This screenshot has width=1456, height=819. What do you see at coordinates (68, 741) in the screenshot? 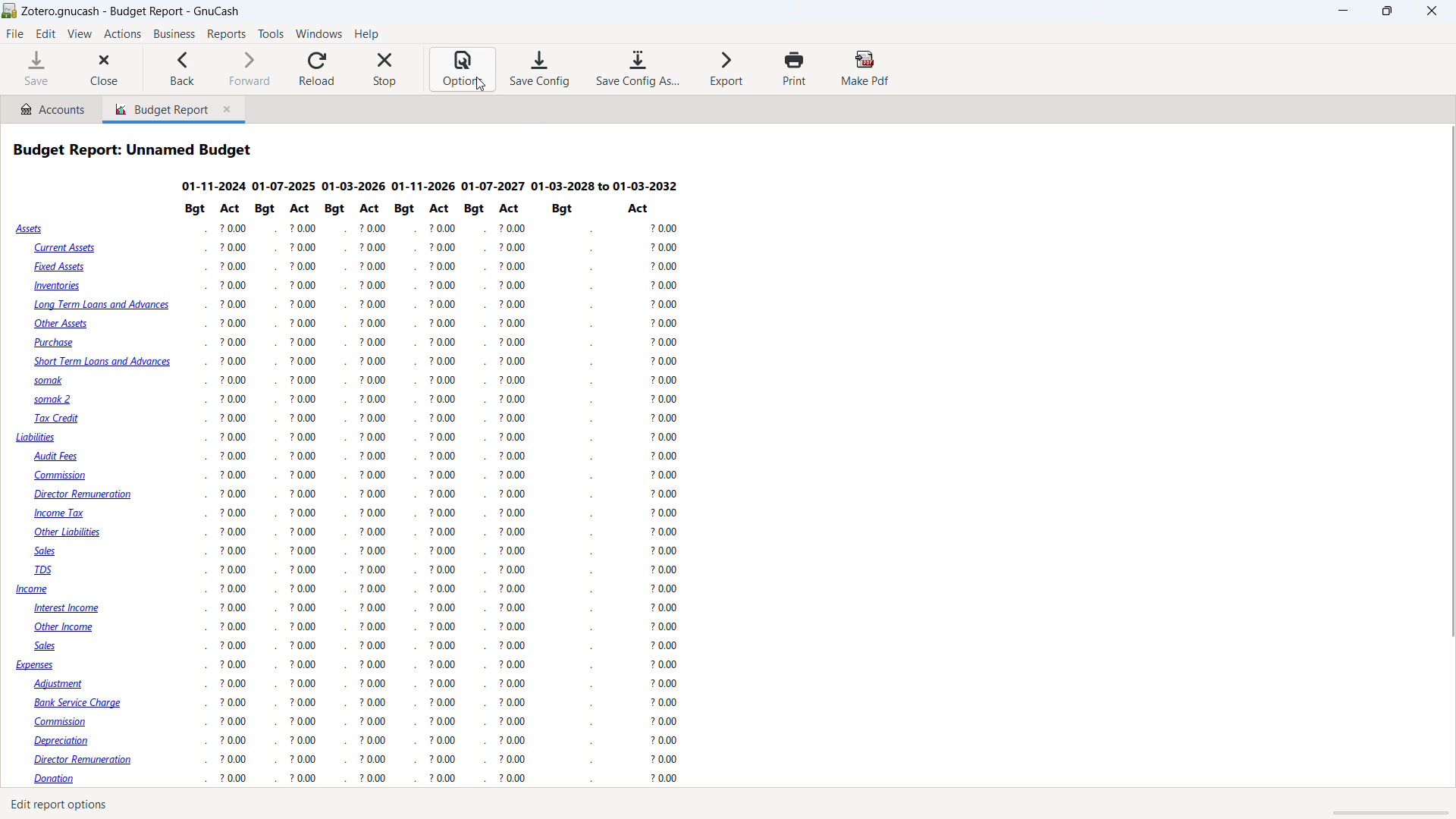
I see `Depreciation` at bounding box center [68, 741].